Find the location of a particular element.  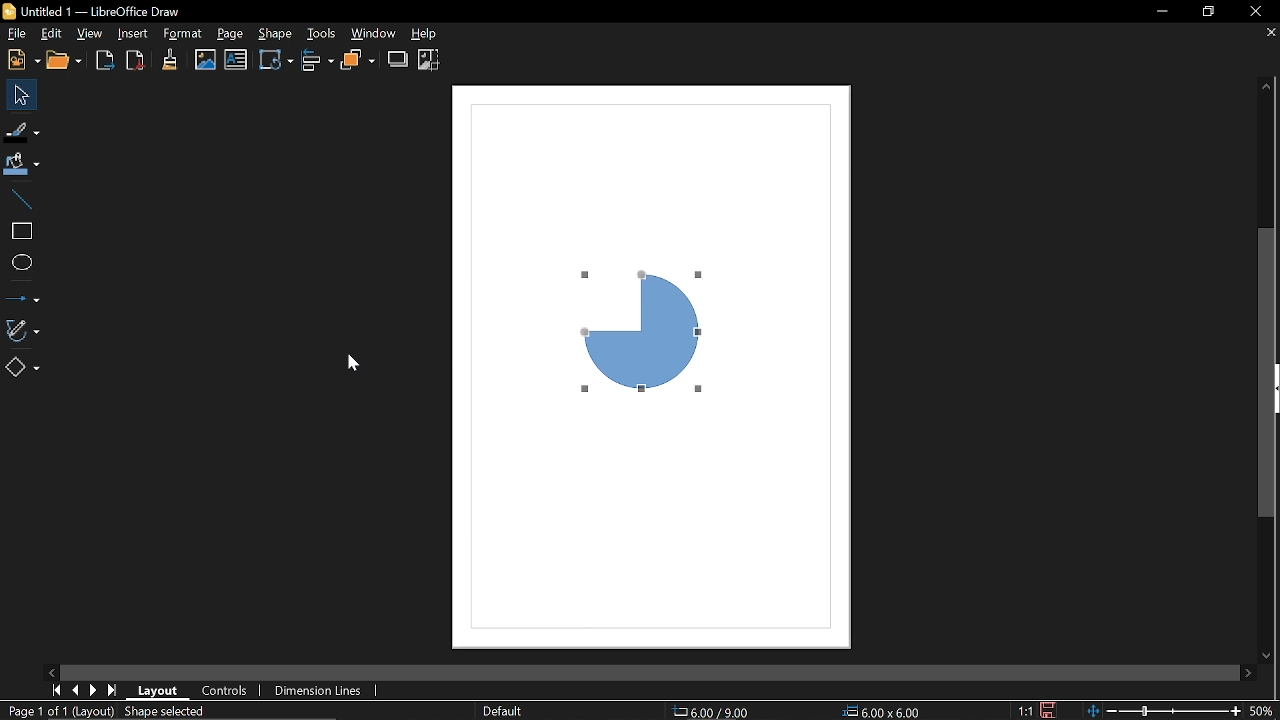

Next page is located at coordinates (94, 690).